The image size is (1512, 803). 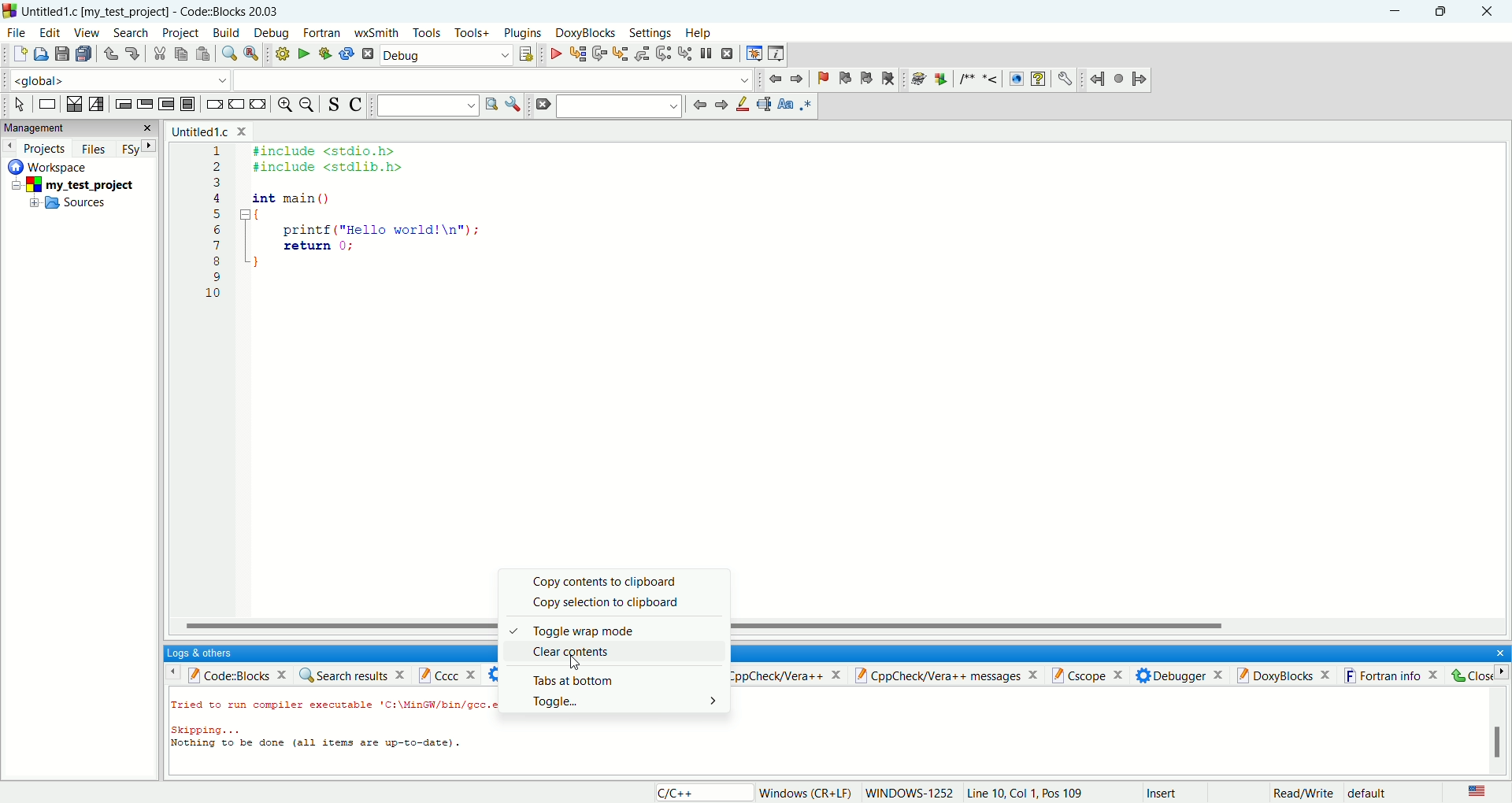 What do you see at coordinates (354, 105) in the screenshot?
I see `toggle comment` at bounding box center [354, 105].